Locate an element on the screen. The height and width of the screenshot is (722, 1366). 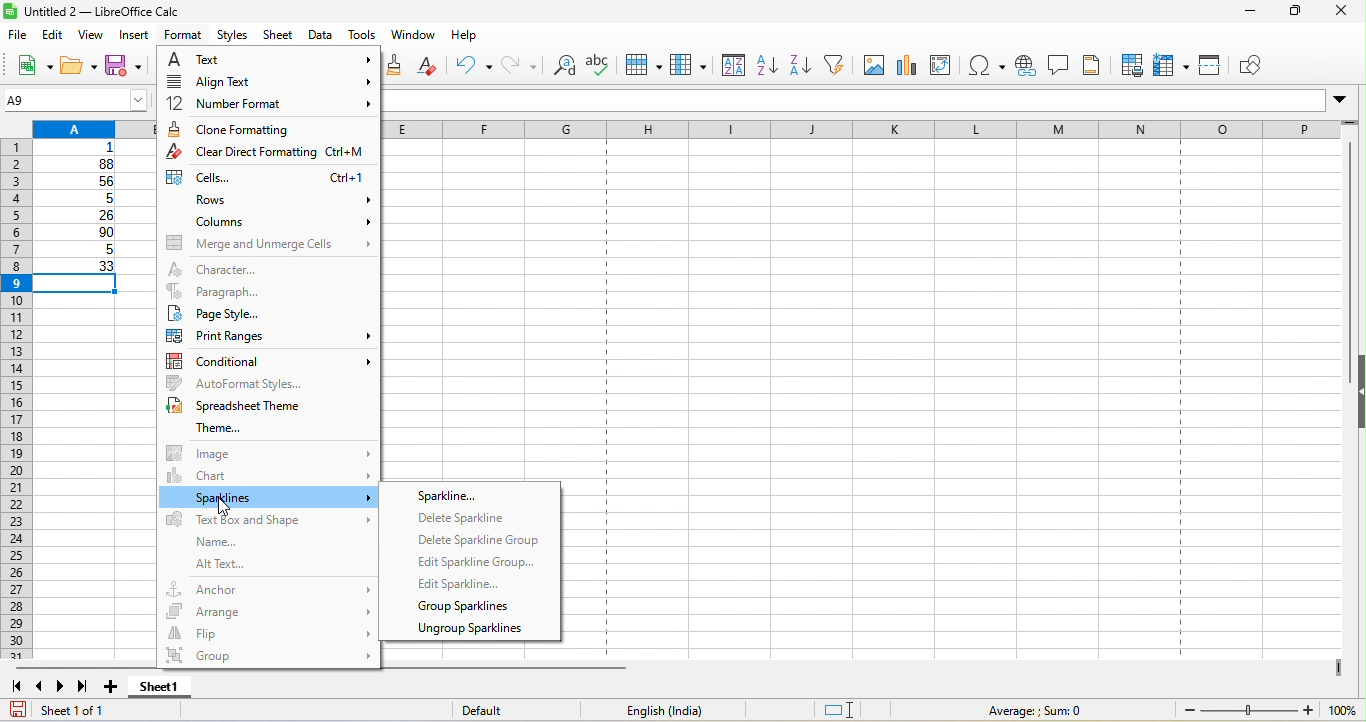
image is located at coordinates (267, 452).